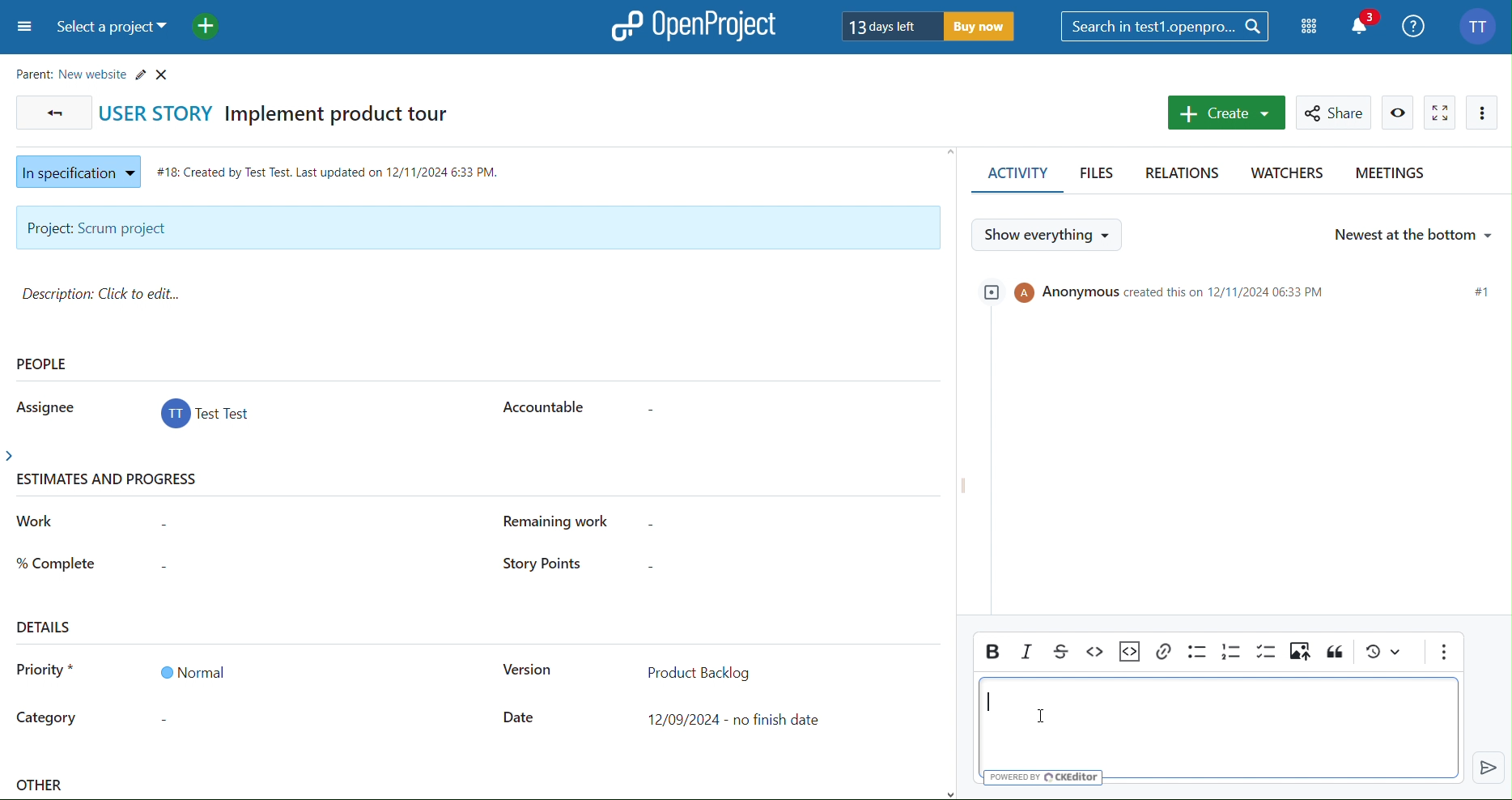 The width and height of the screenshot is (1512, 800). Describe the element at coordinates (520, 718) in the screenshot. I see `Date` at that location.